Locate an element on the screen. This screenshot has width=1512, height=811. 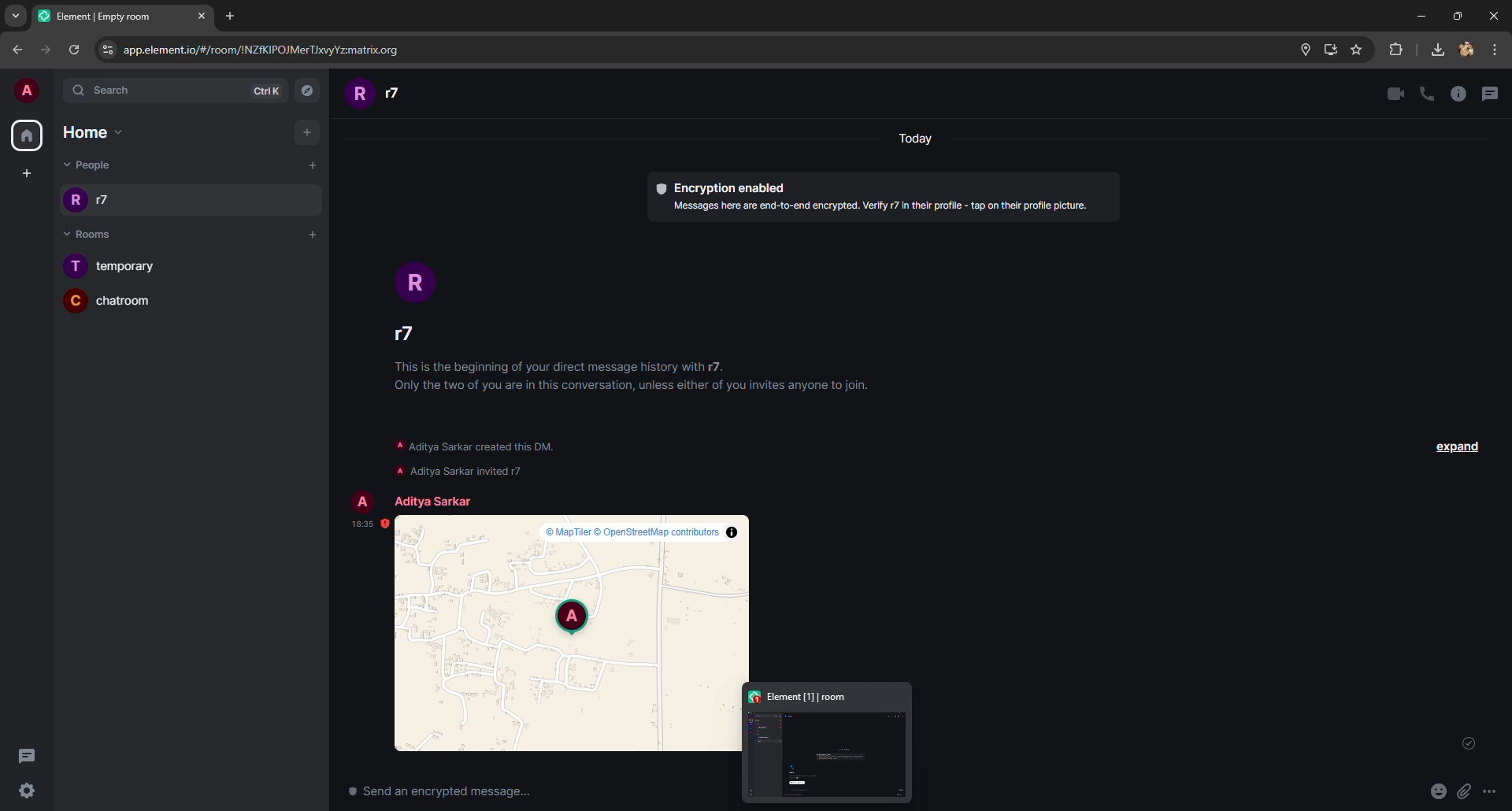
information is located at coordinates (1459, 94).